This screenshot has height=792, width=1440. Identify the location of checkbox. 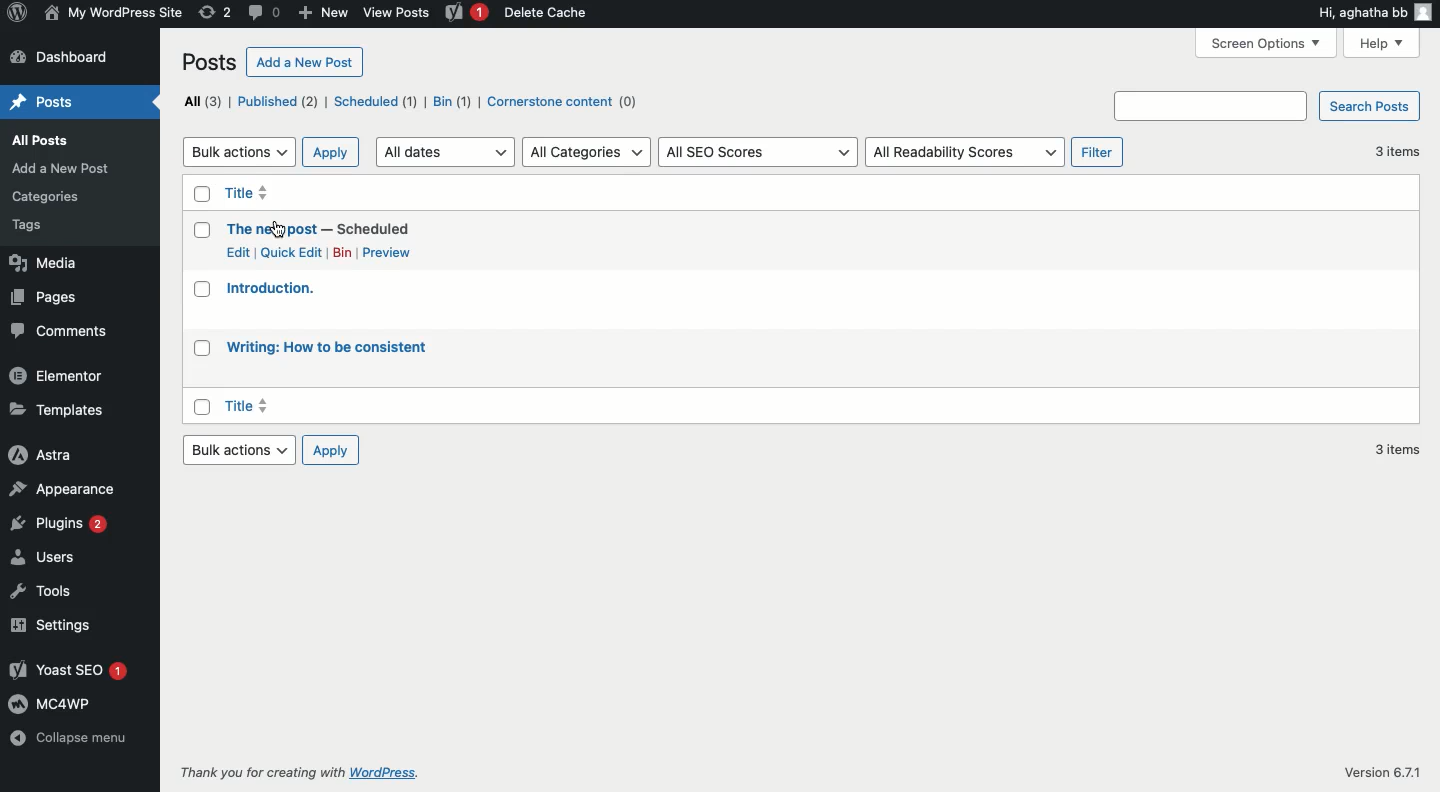
(203, 194).